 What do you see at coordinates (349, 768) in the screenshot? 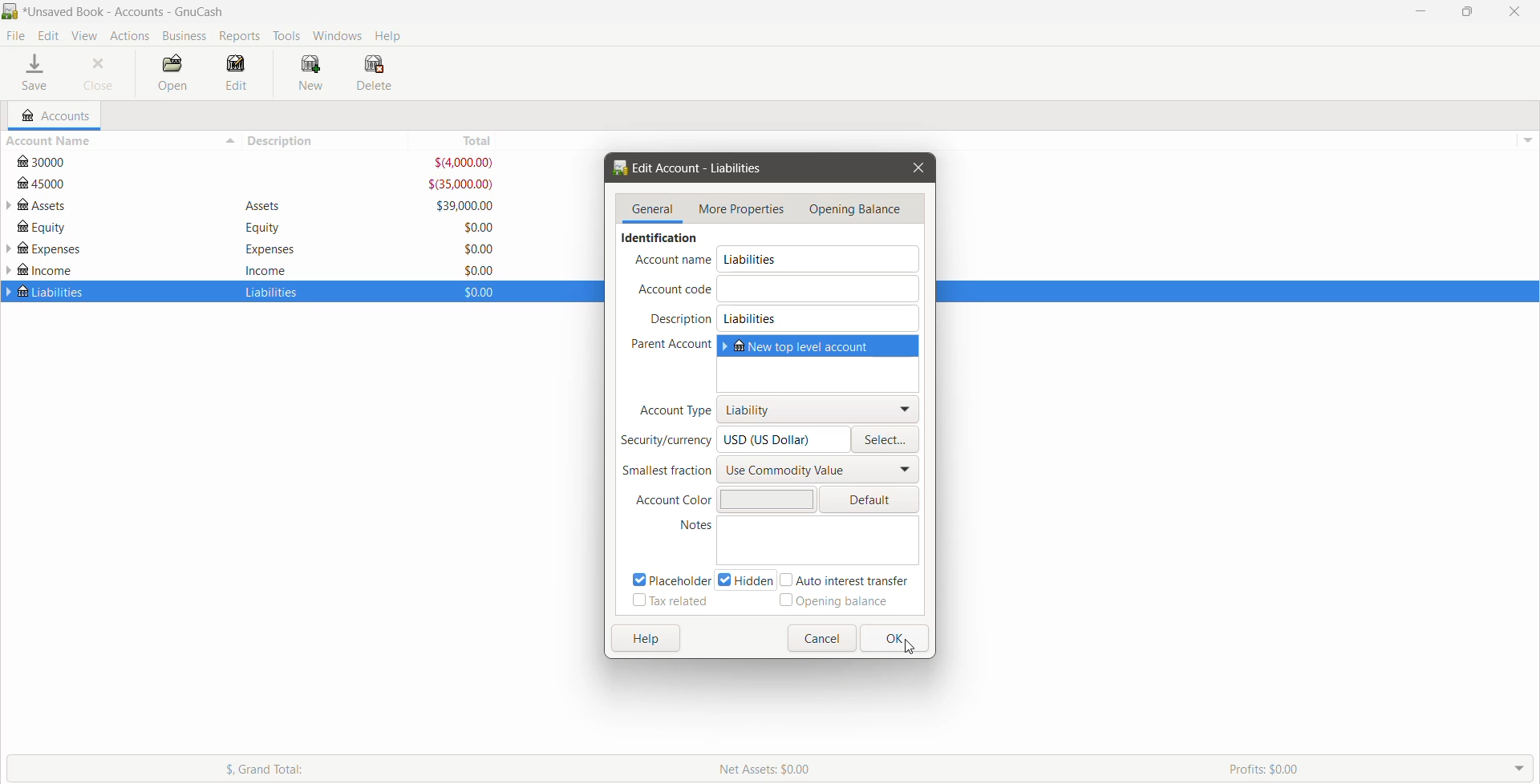
I see `Grand Total` at bounding box center [349, 768].